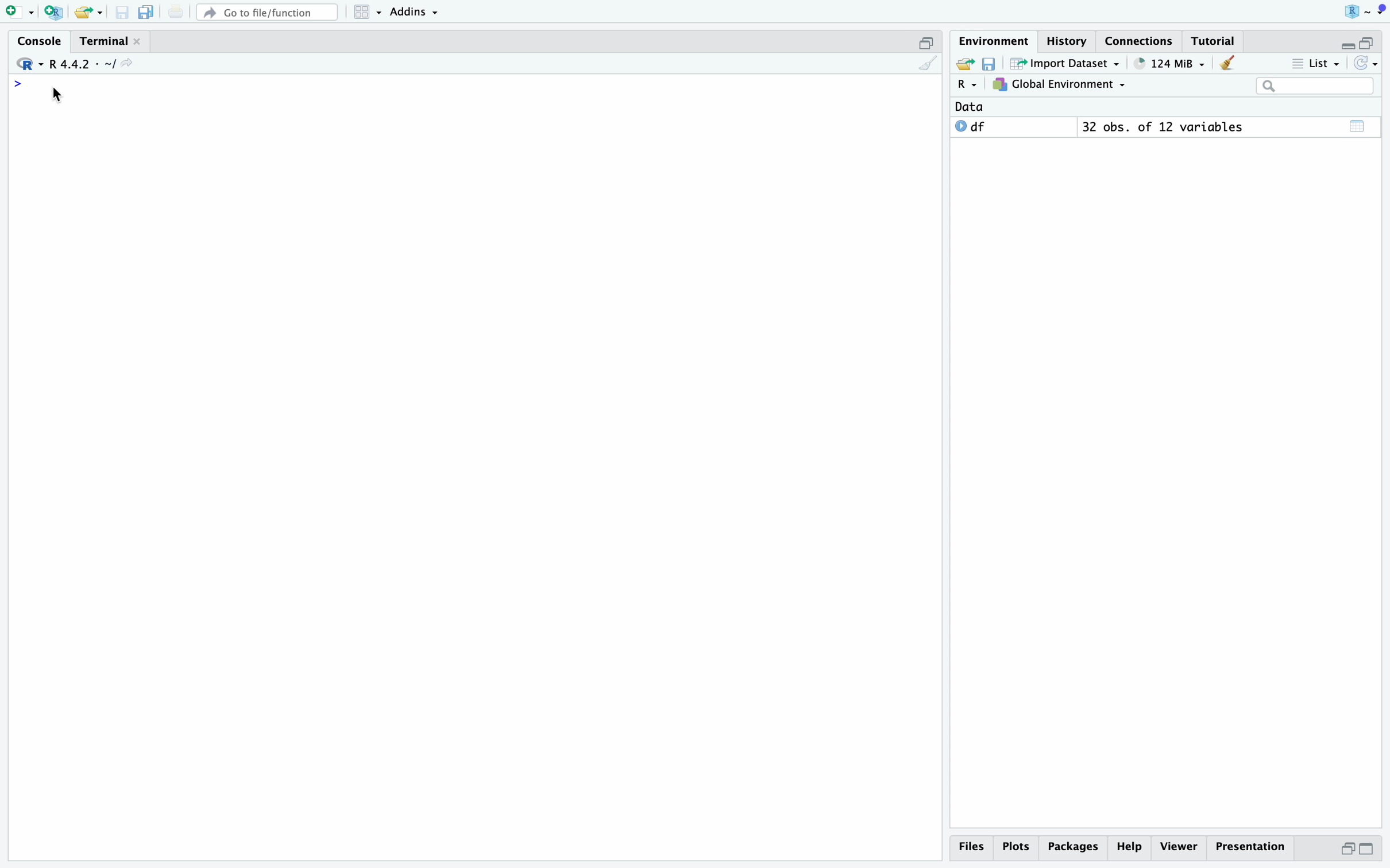 The width and height of the screenshot is (1390, 868). Describe the element at coordinates (1250, 847) in the screenshot. I see `presentation` at that location.